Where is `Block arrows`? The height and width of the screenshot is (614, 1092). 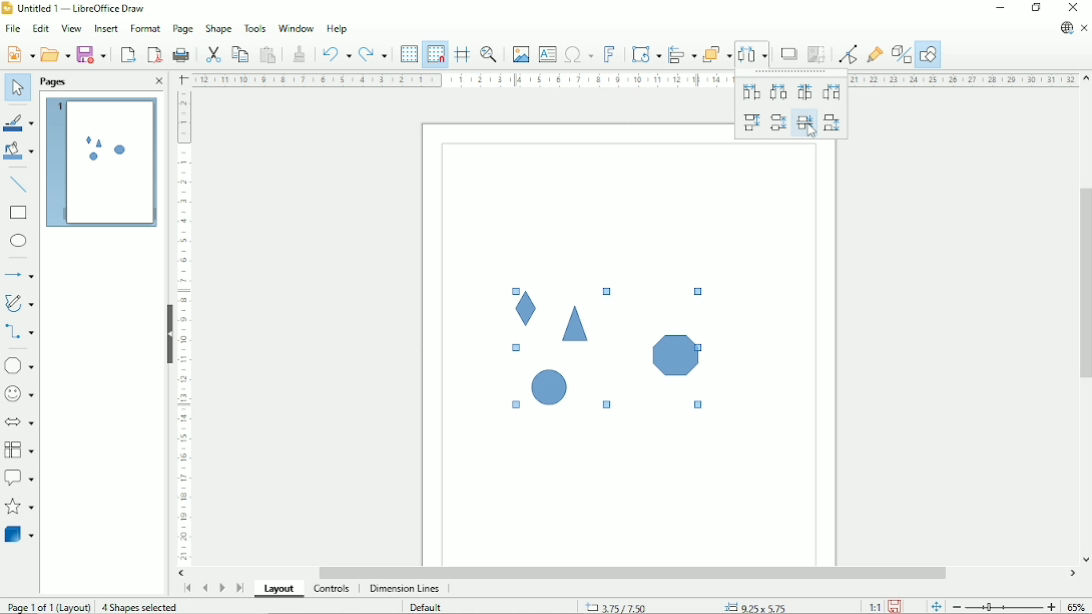
Block arrows is located at coordinates (21, 423).